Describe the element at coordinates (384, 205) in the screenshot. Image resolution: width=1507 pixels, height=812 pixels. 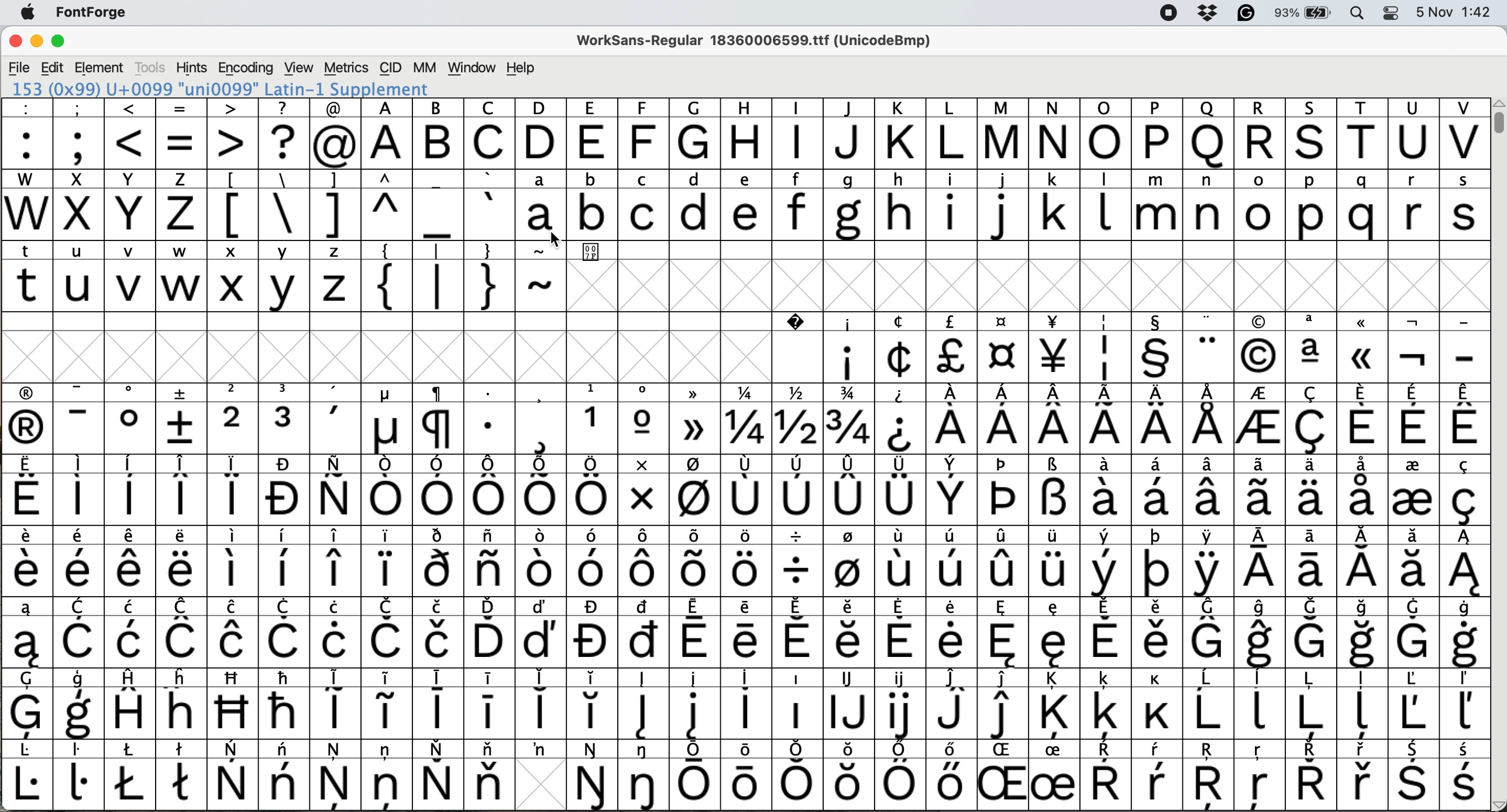
I see `^` at that location.